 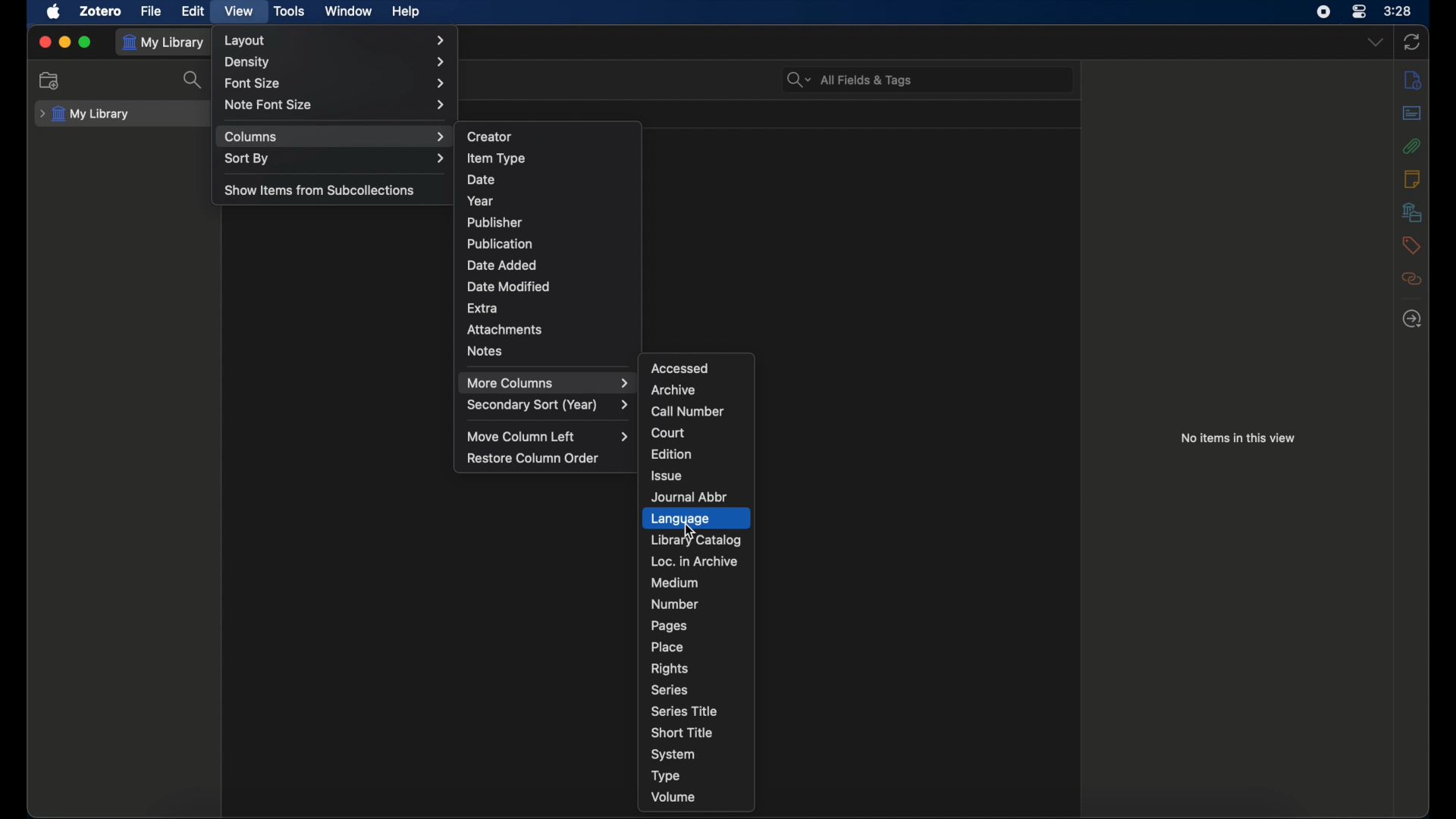 I want to click on font size, so click(x=336, y=84).